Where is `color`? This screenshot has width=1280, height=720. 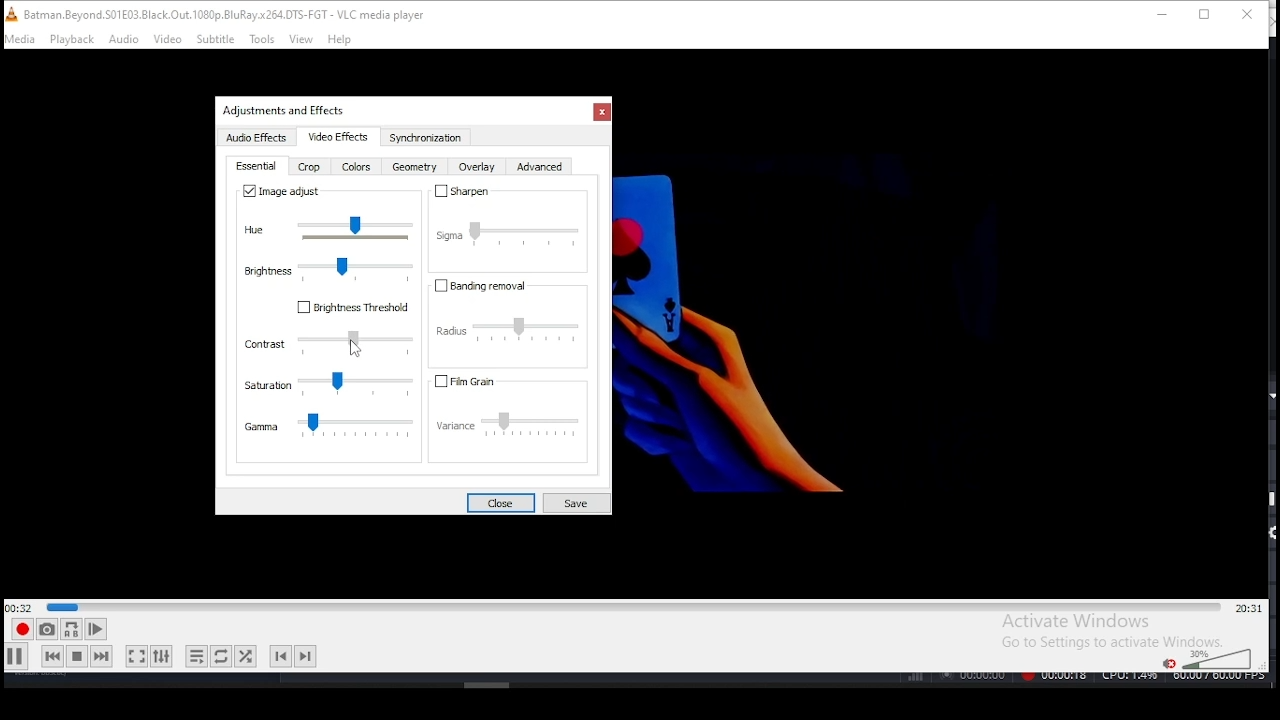 color is located at coordinates (356, 168).